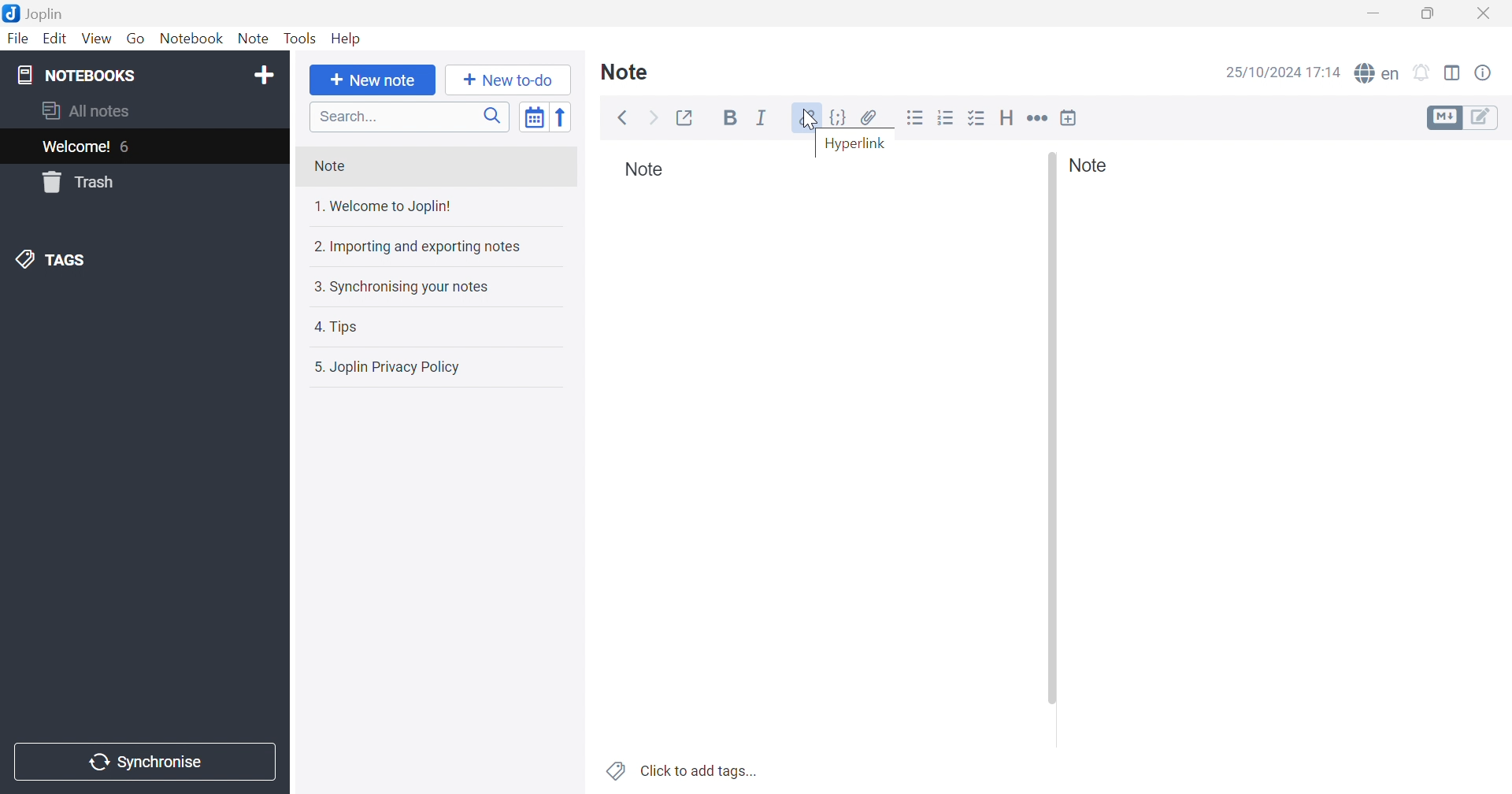 The image size is (1512, 794). Describe the element at coordinates (265, 77) in the screenshot. I see `Add new notebook` at that location.